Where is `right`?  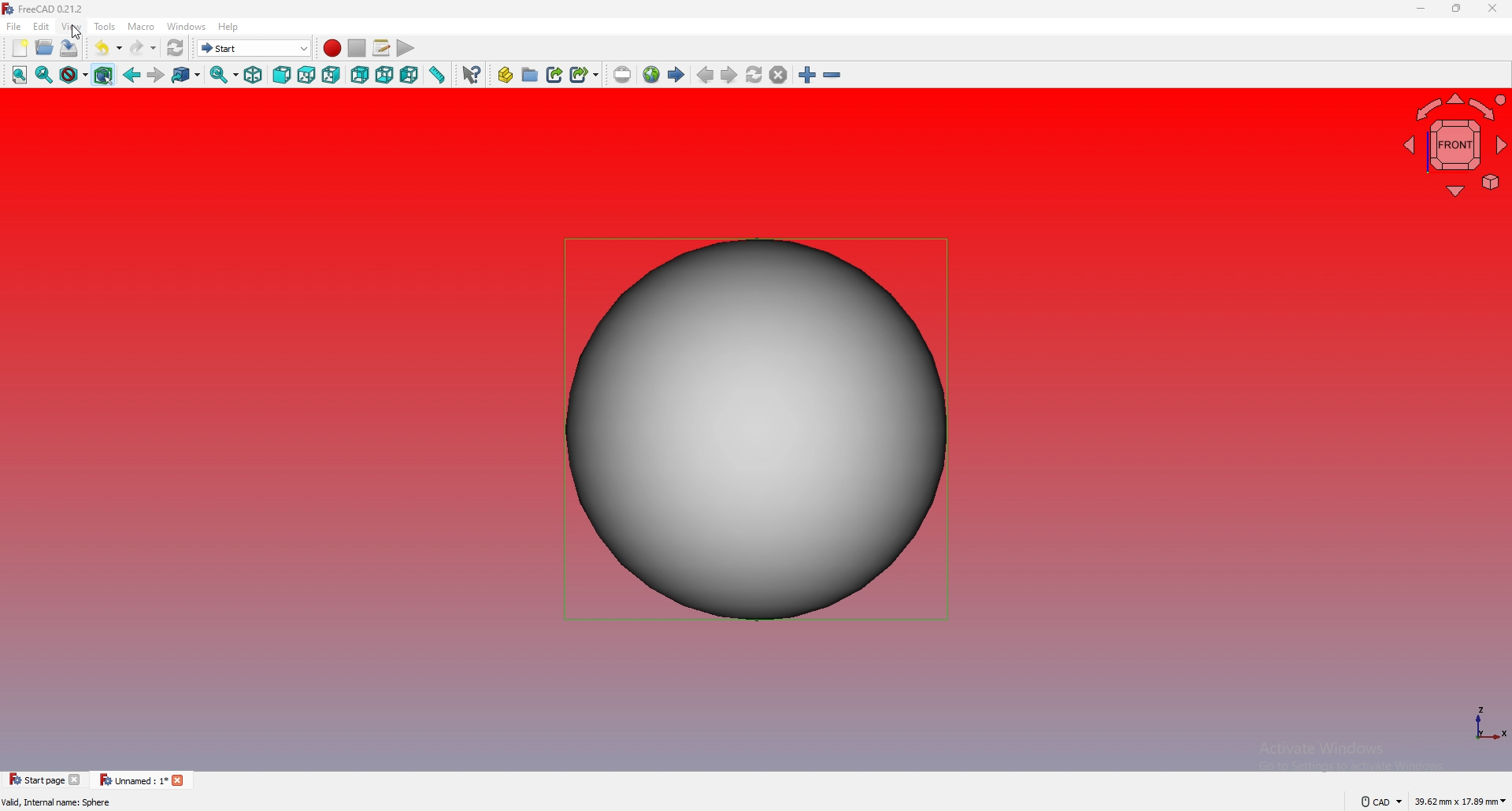
right is located at coordinates (331, 74).